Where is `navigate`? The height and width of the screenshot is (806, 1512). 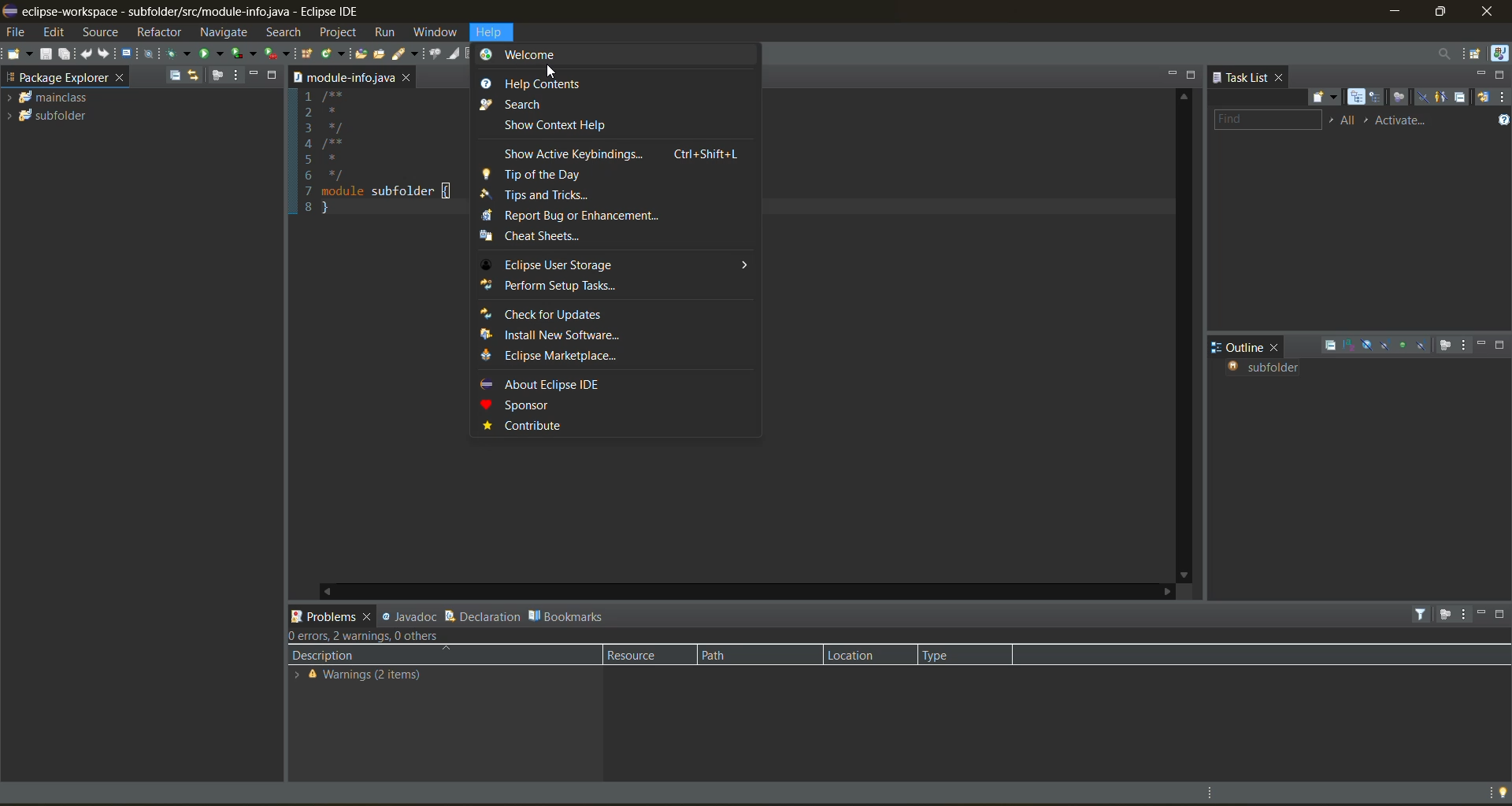 navigate is located at coordinates (221, 31).